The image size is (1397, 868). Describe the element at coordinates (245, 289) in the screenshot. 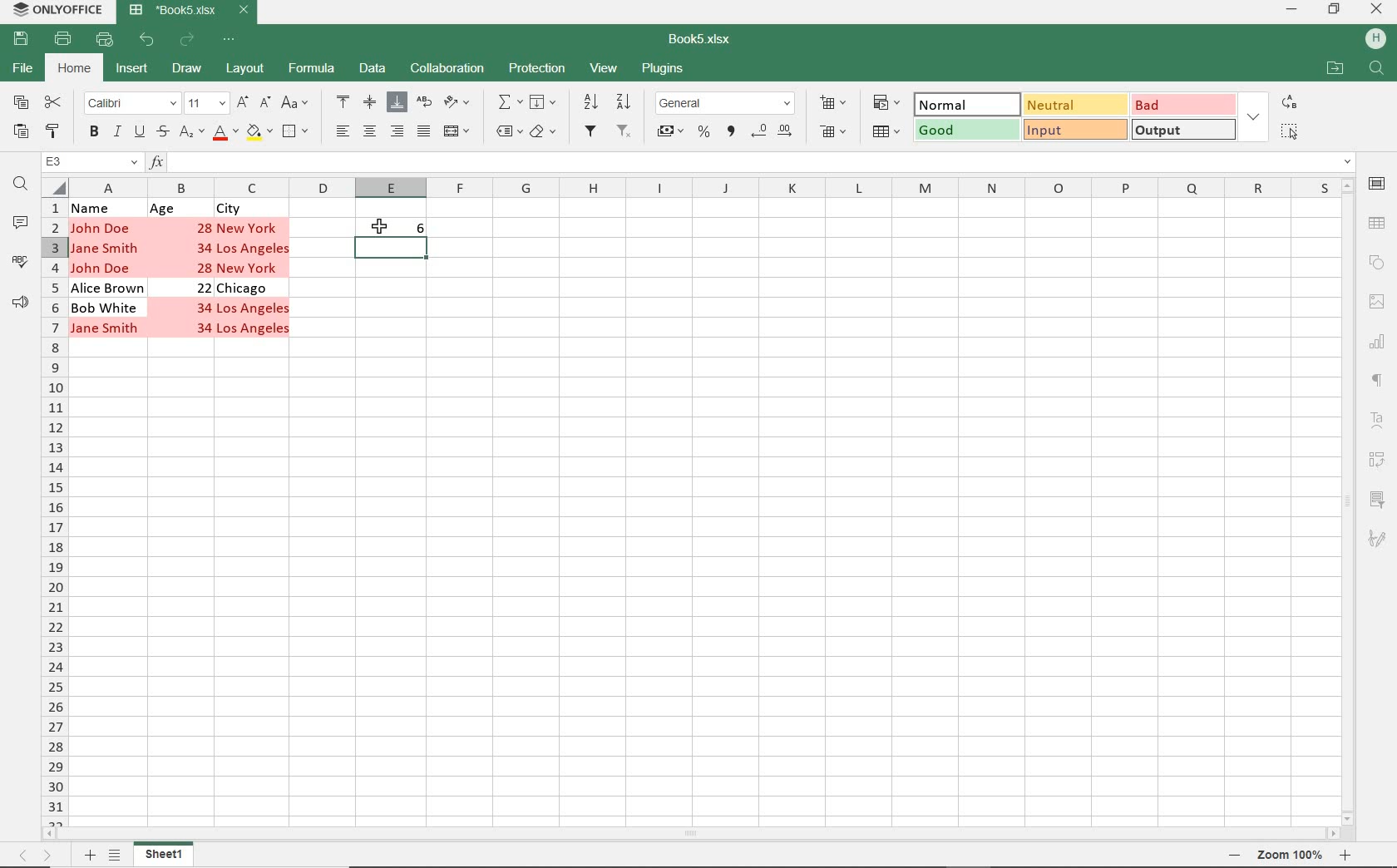

I see `Chicago` at that location.